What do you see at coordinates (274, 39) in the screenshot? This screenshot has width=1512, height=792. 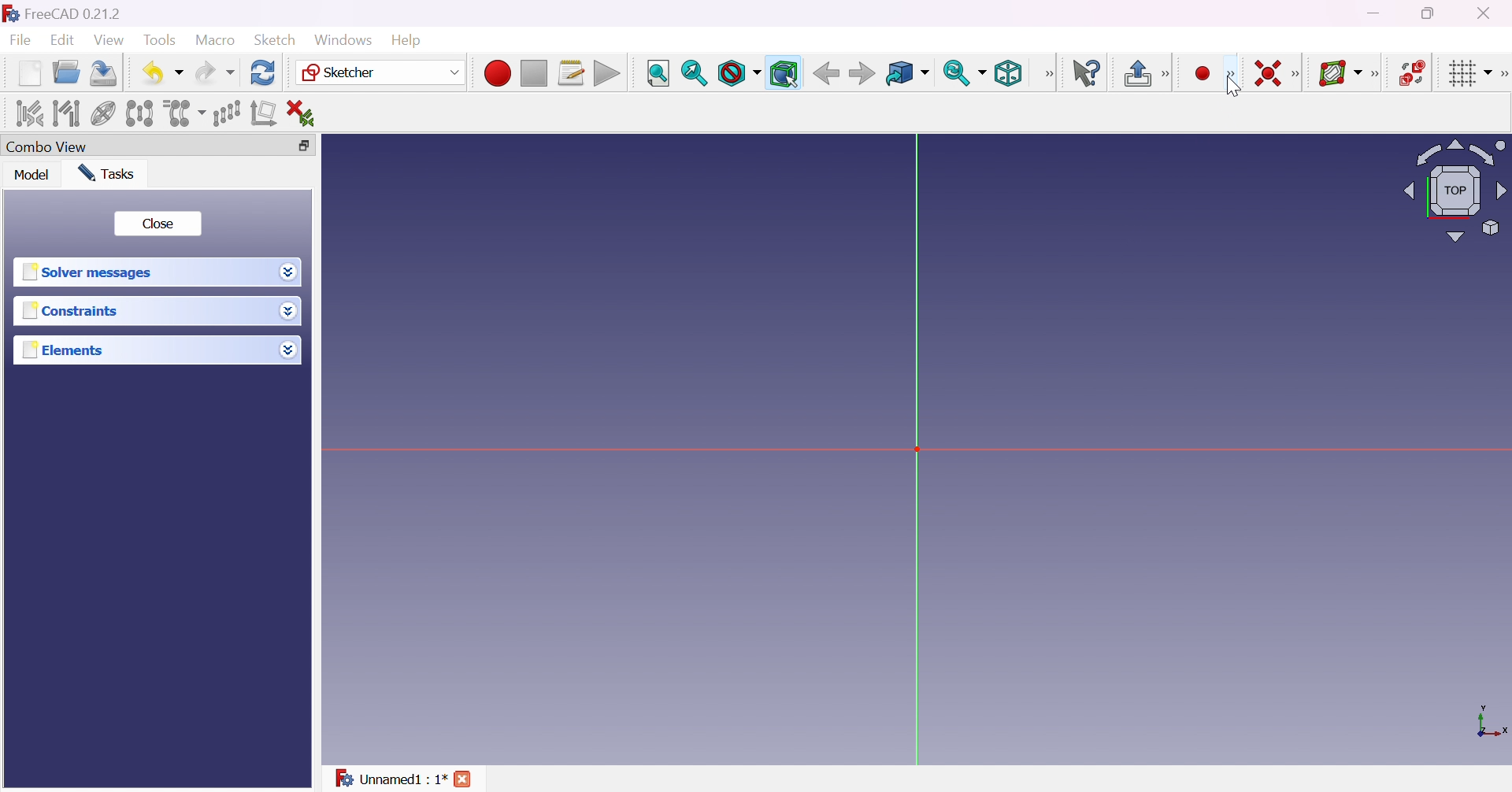 I see `Sketch` at bounding box center [274, 39].